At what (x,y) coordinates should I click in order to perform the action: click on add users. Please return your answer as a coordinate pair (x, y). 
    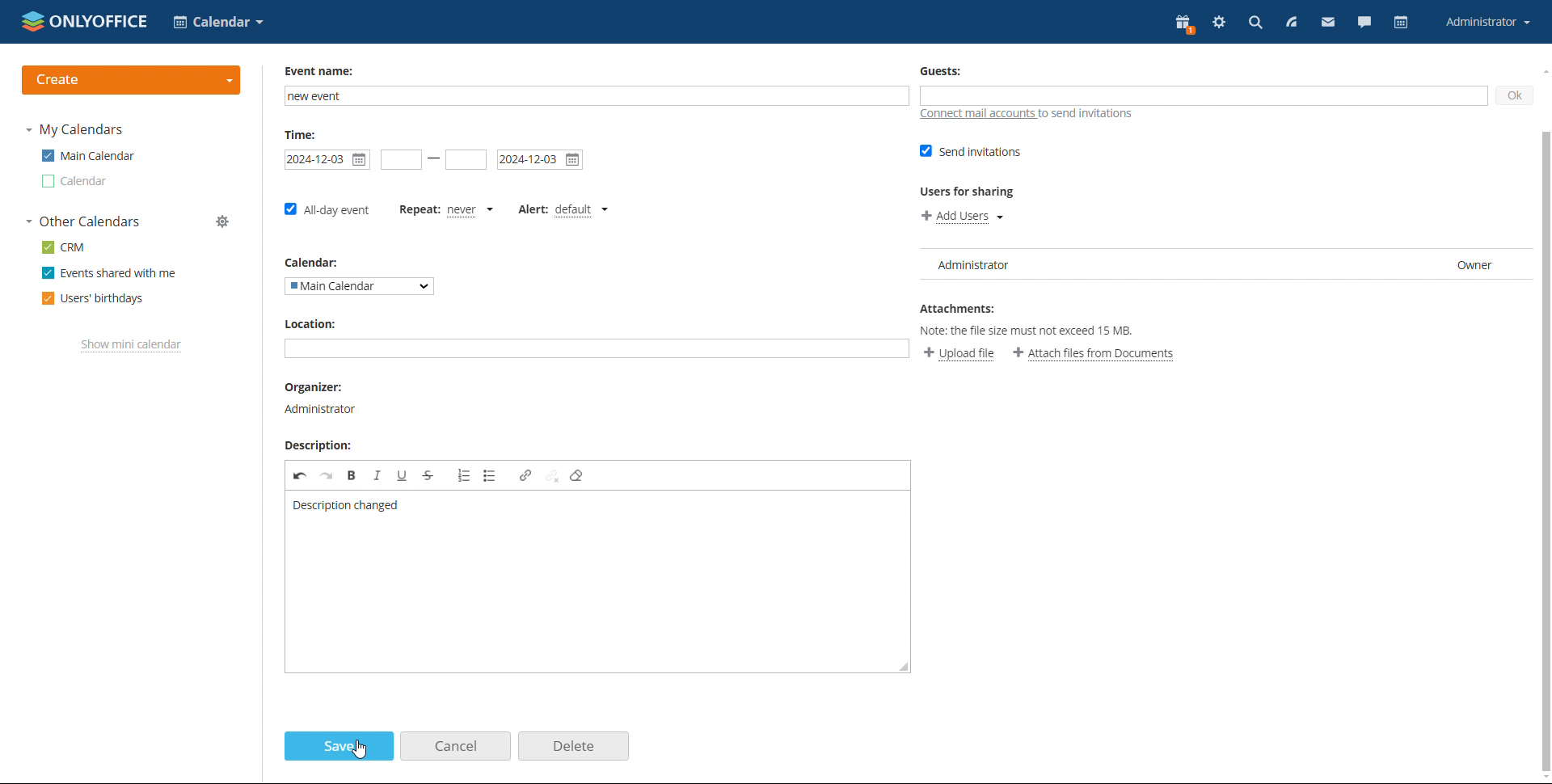
    Looking at the image, I should click on (958, 218).